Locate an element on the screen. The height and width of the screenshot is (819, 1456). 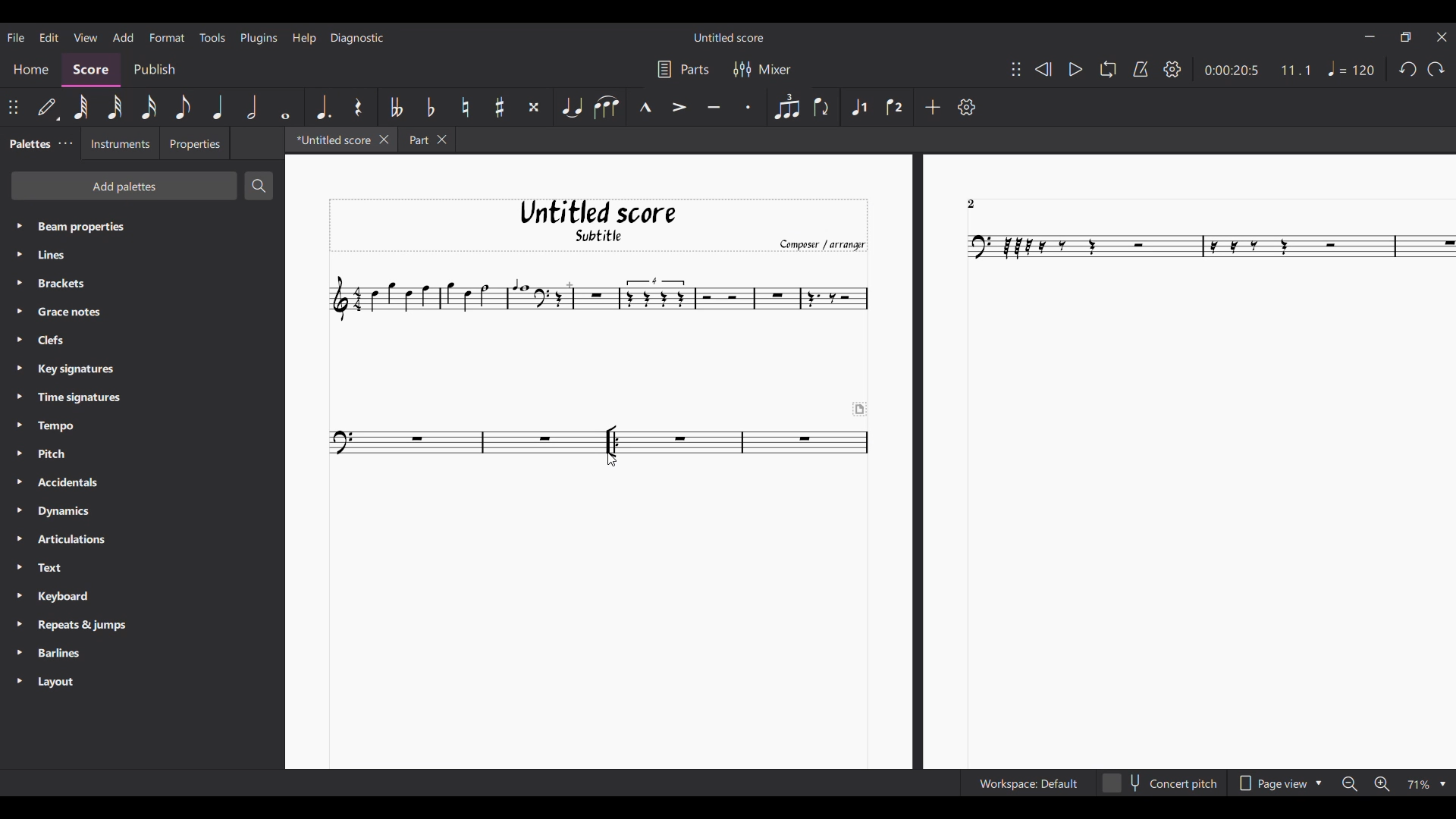
Voice 1 is located at coordinates (858, 107).